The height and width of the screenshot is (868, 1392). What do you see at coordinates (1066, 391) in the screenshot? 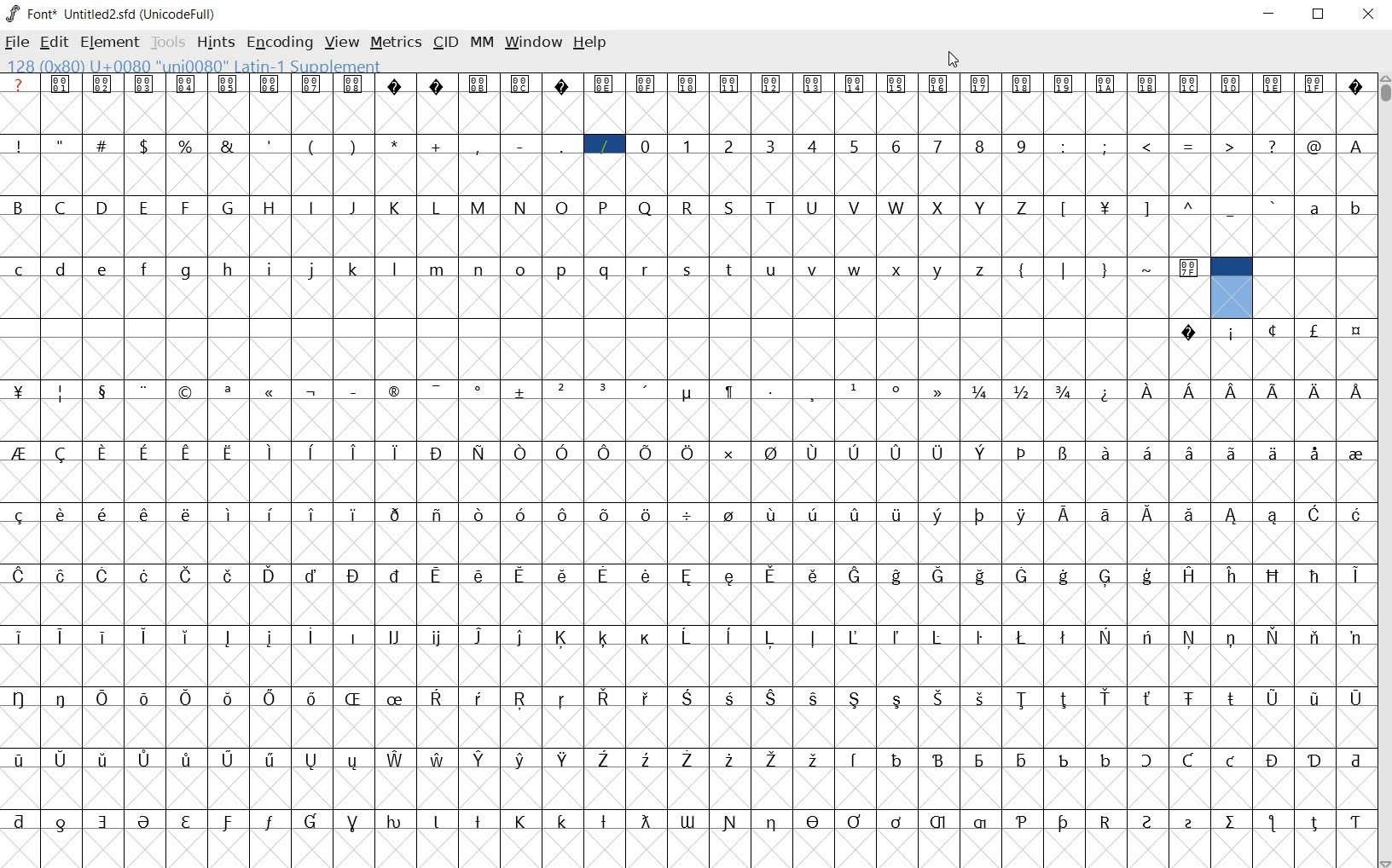
I see `Symbol` at bounding box center [1066, 391].